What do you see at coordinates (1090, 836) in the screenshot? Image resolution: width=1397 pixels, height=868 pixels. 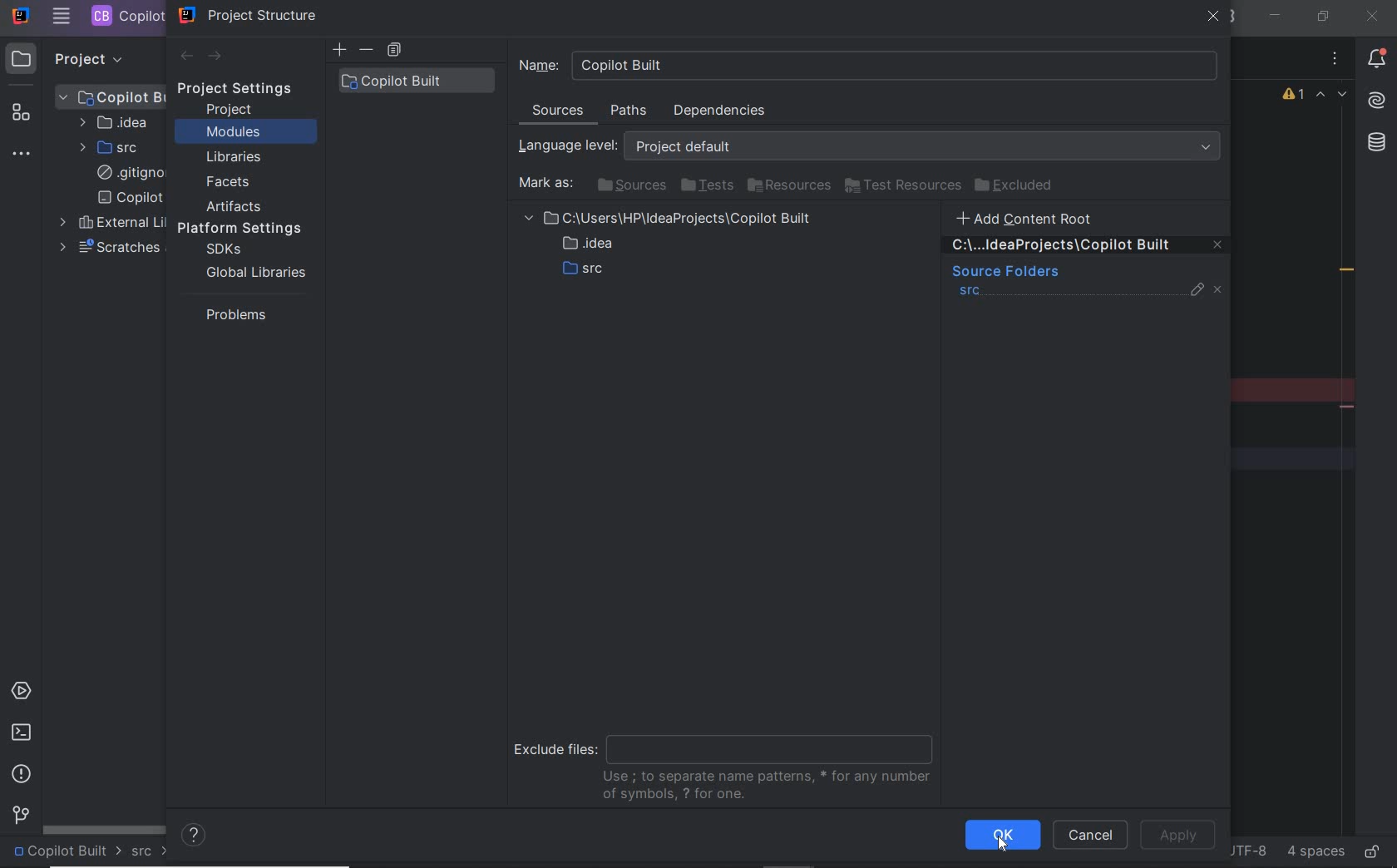 I see `cancel` at bounding box center [1090, 836].